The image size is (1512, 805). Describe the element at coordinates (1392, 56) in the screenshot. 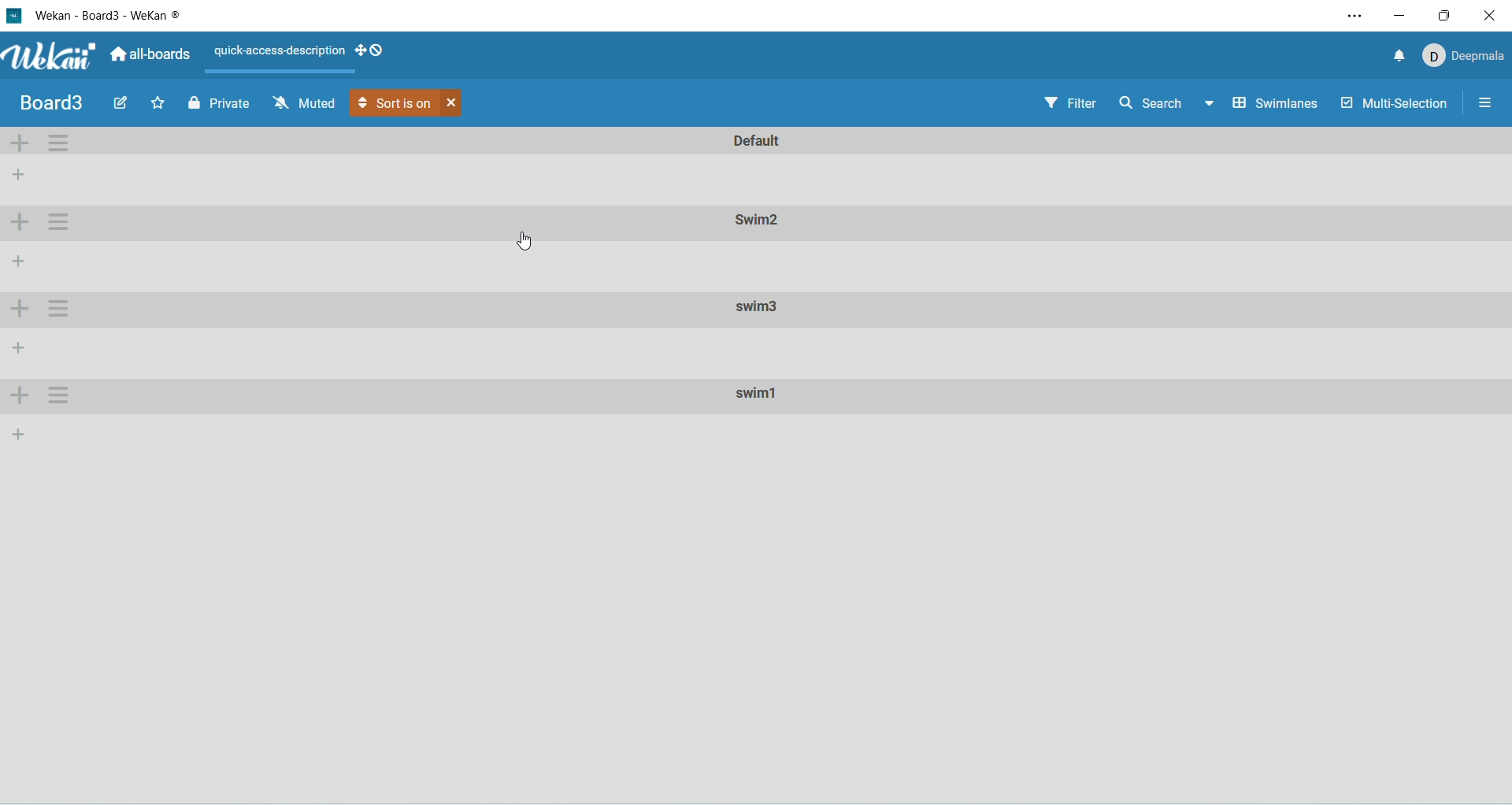

I see `notification` at that location.